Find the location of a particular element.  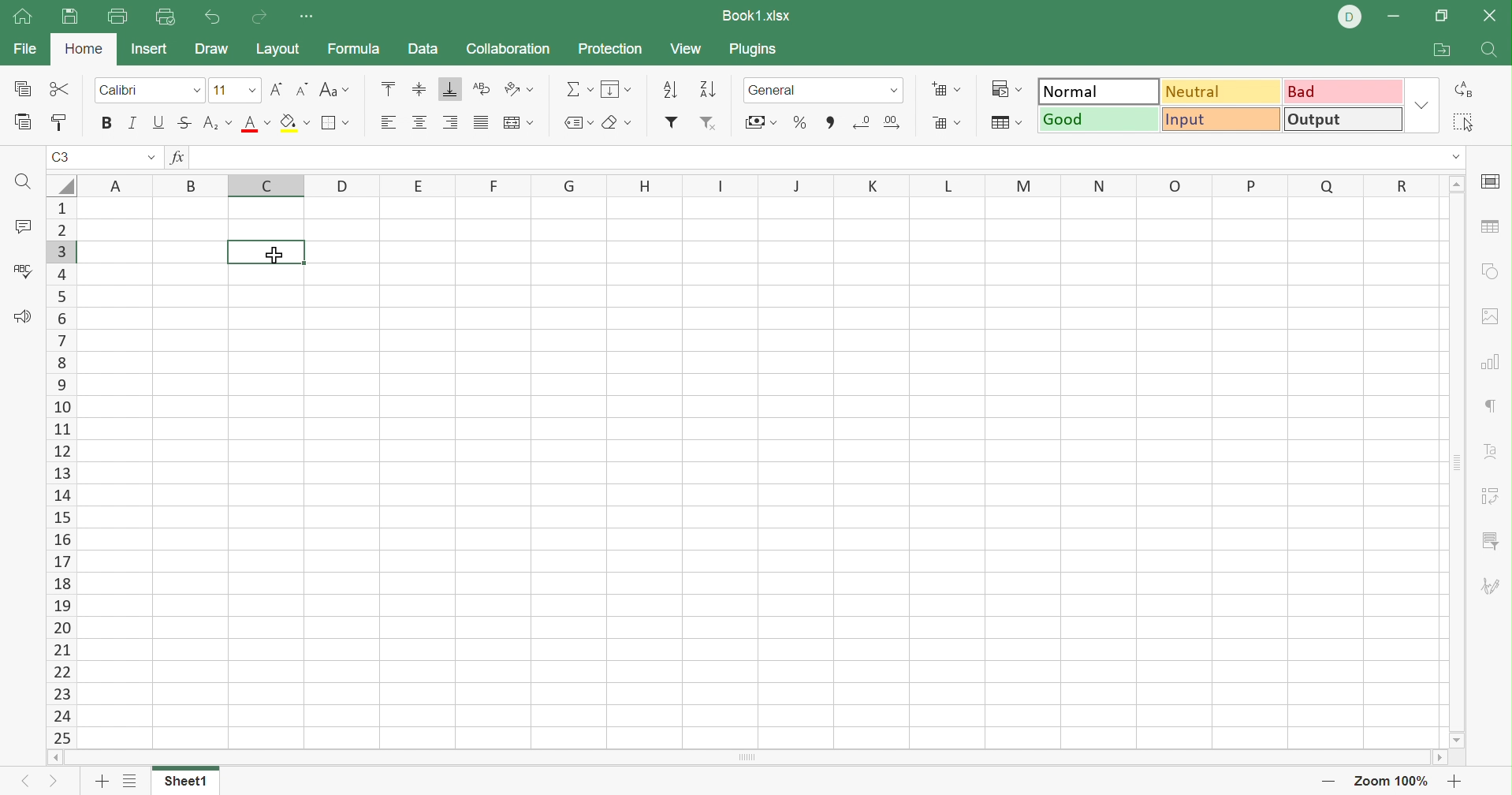

Quick Print is located at coordinates (167, 20).